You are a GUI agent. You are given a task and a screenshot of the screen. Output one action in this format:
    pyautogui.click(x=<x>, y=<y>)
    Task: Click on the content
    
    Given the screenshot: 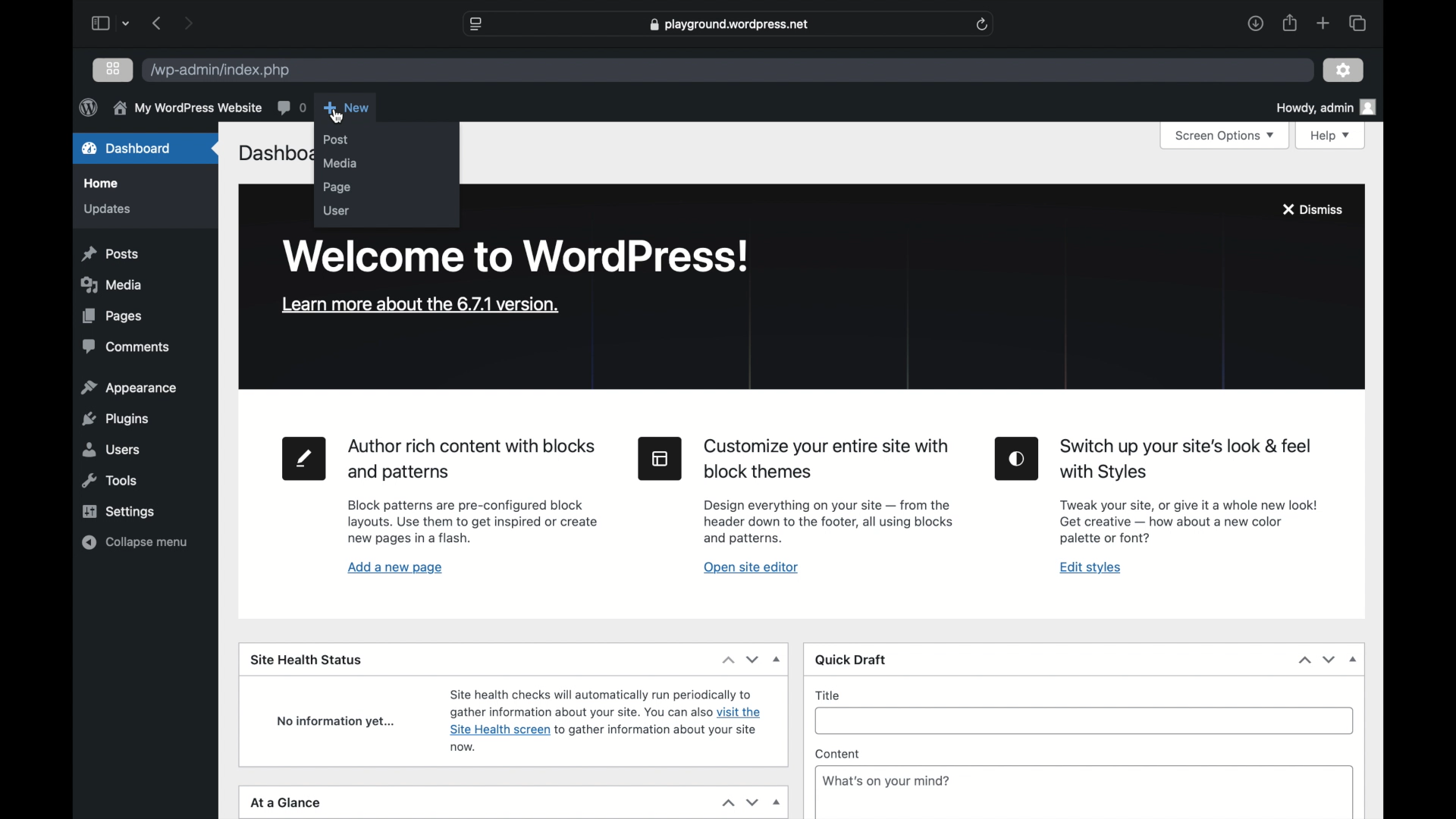 What is the action you would take?
    pyautogui.click(x=836, y=755)
    